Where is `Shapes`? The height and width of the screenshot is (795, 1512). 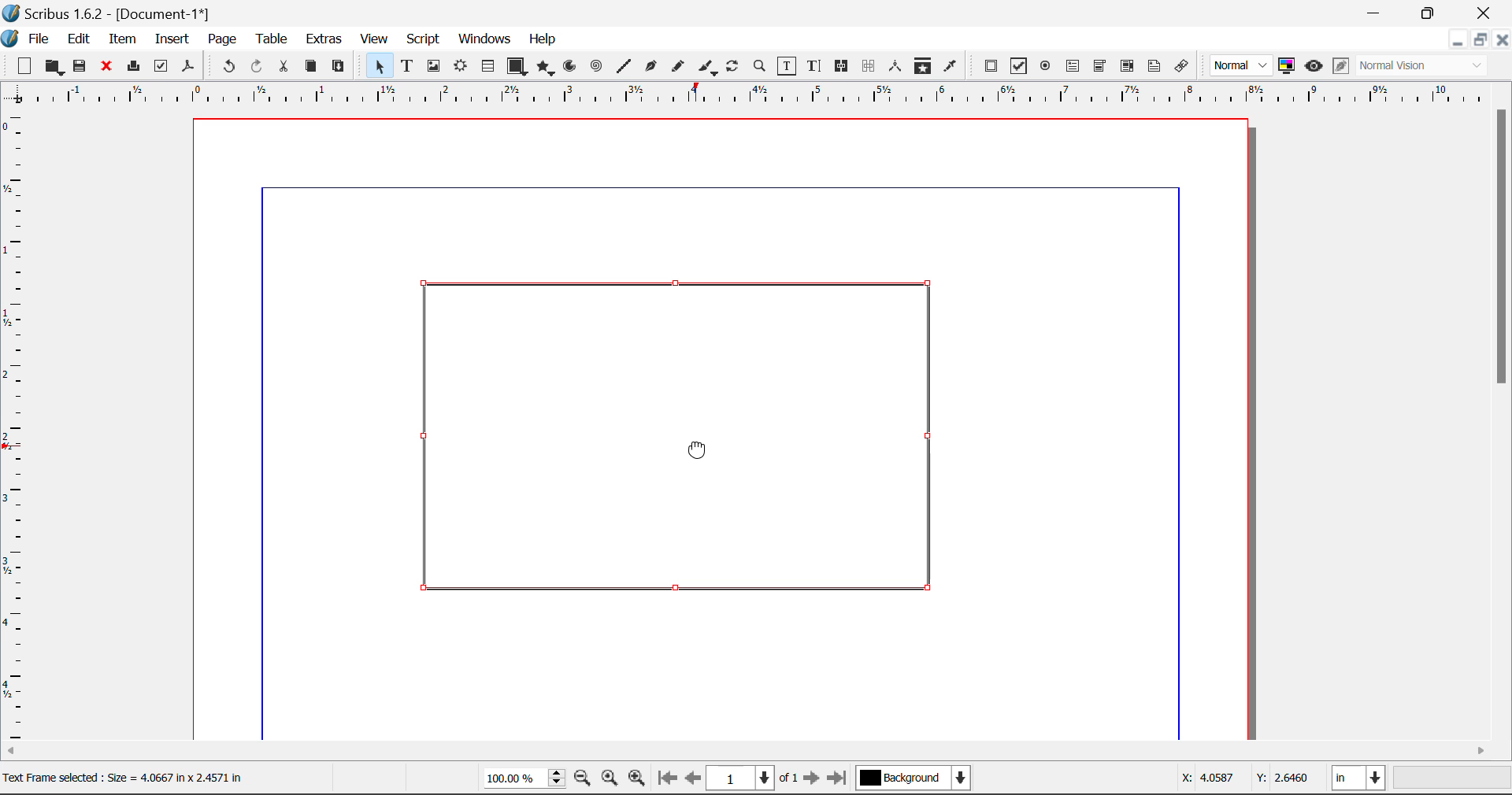 Shapes is located at coordinates (517, 65).